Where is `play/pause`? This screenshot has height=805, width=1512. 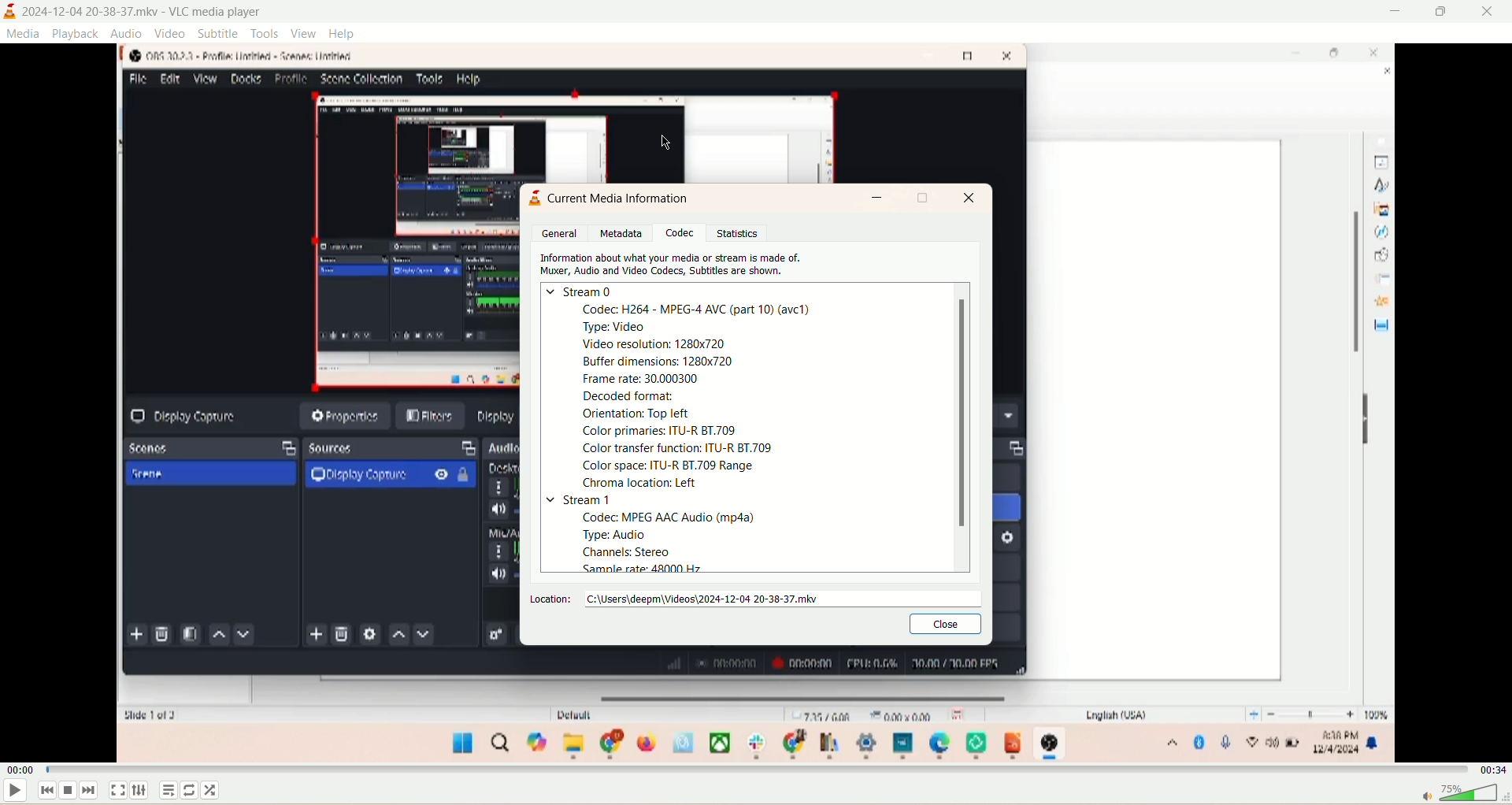 play/pause is located at coordinates (14, 793).